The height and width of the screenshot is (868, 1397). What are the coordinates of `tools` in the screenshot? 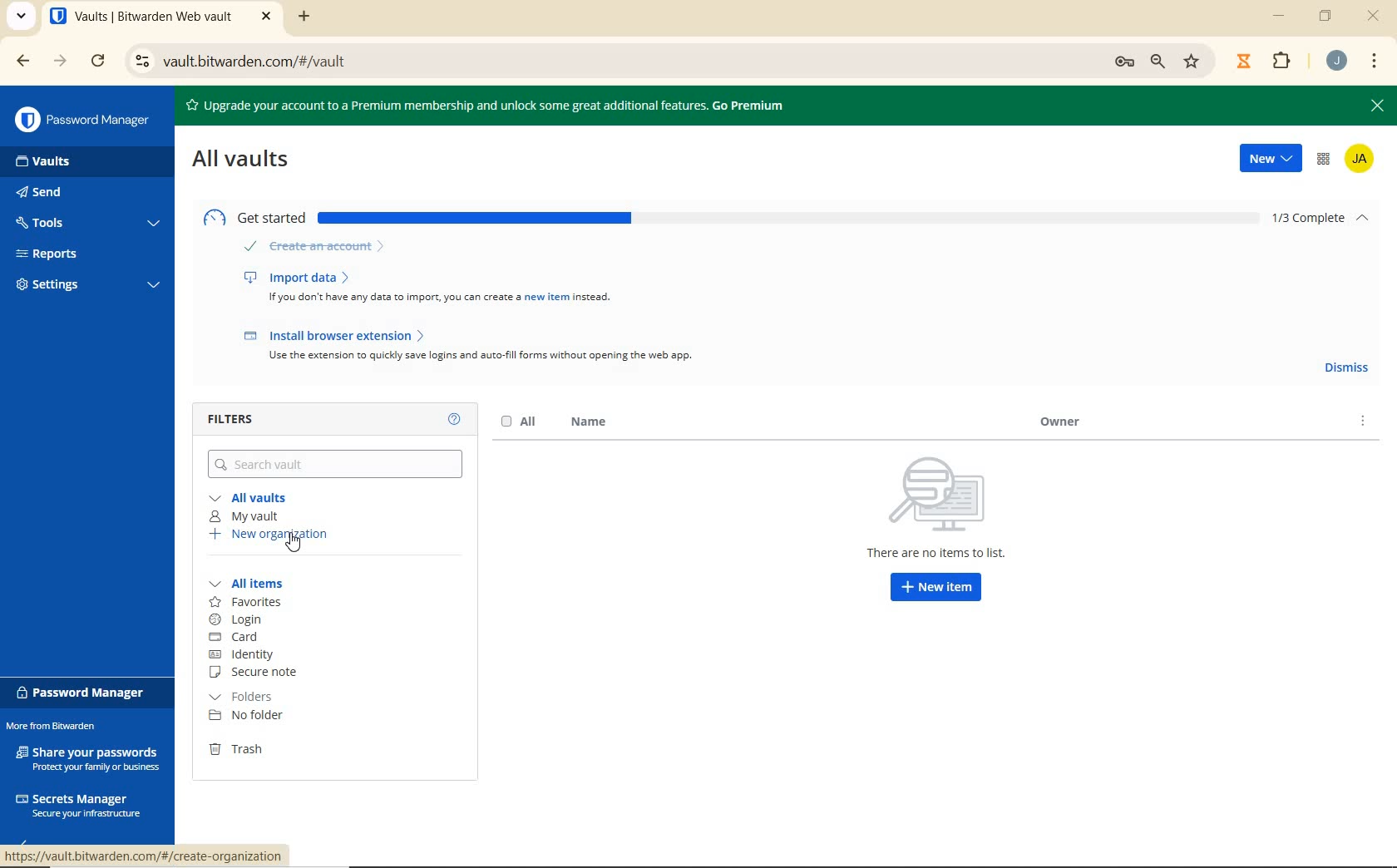 It's located at (86, 224).